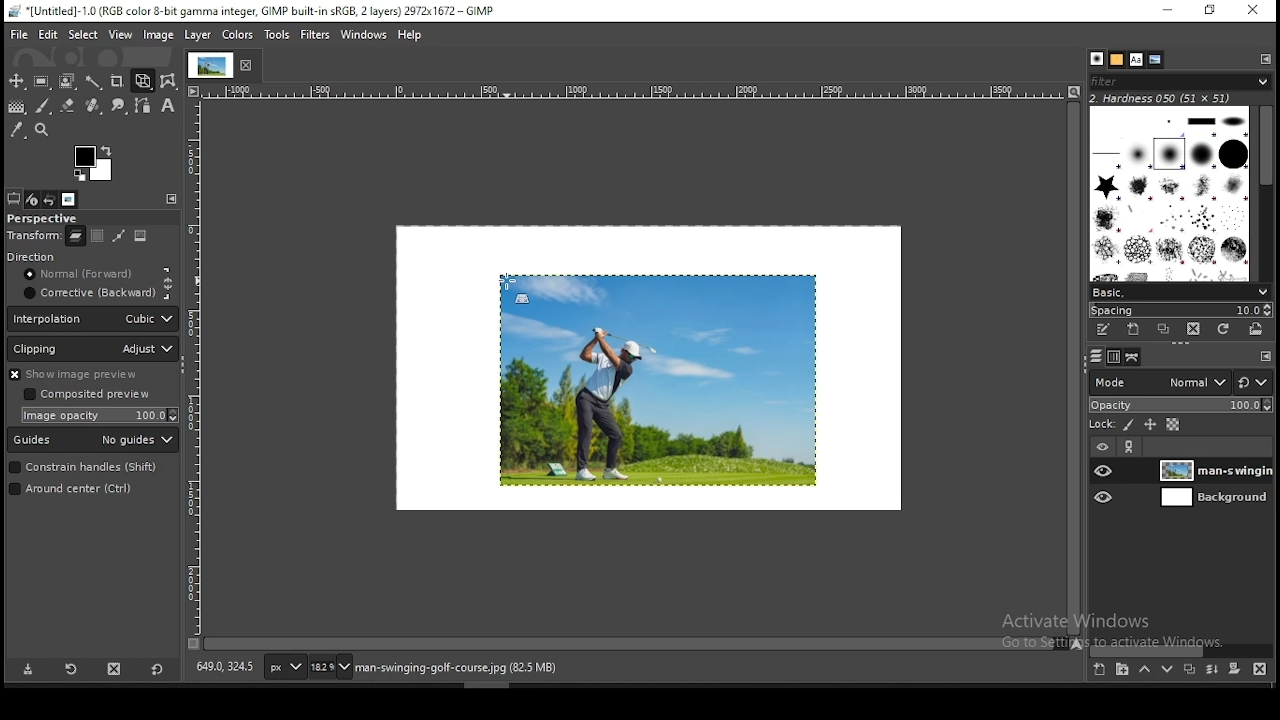 This screenshot has height=720, width=1280. I want to click on new layer group, so click(1119, 670).